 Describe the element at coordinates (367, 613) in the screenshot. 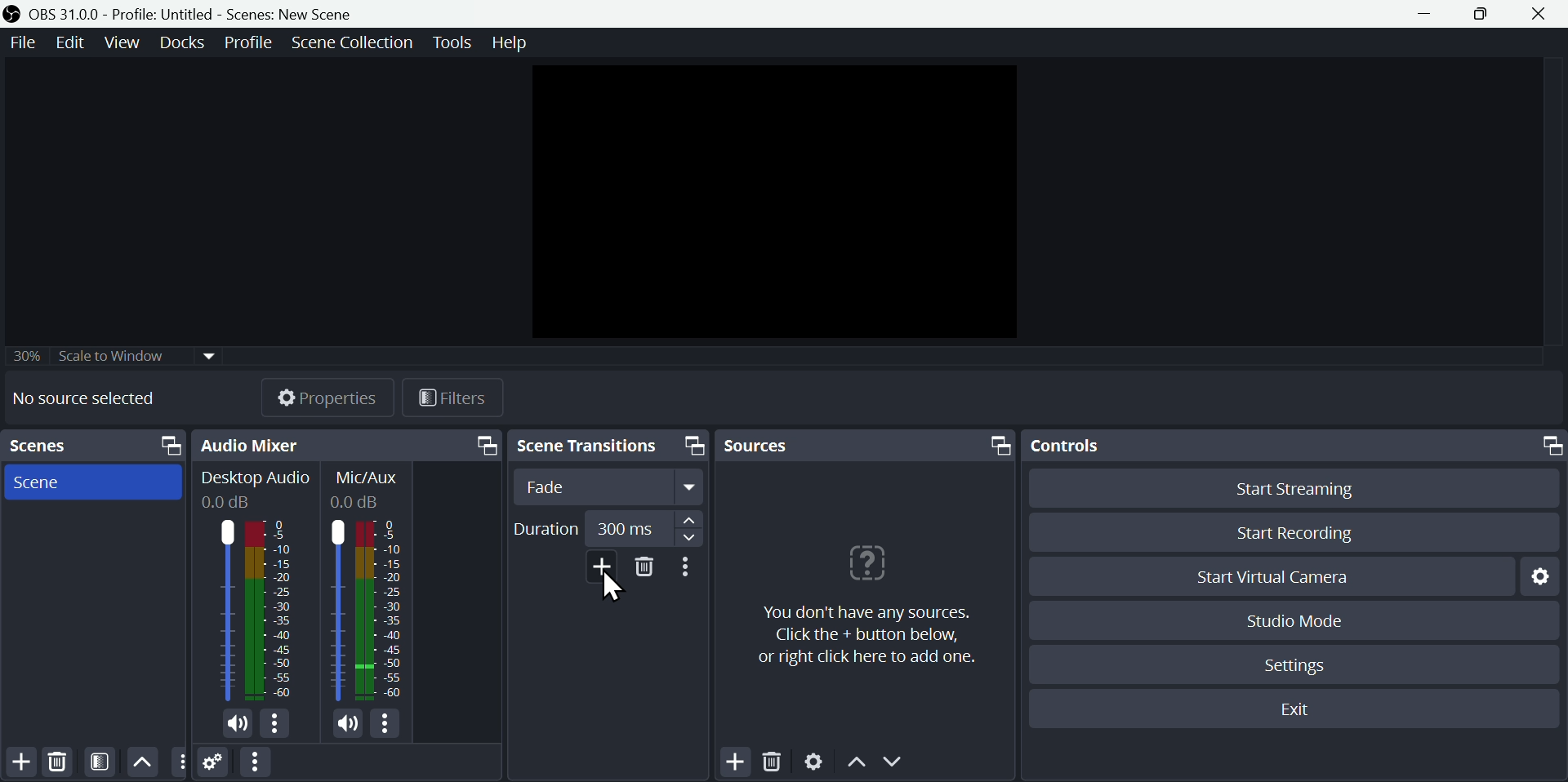

I see `Audio bar` at that location.